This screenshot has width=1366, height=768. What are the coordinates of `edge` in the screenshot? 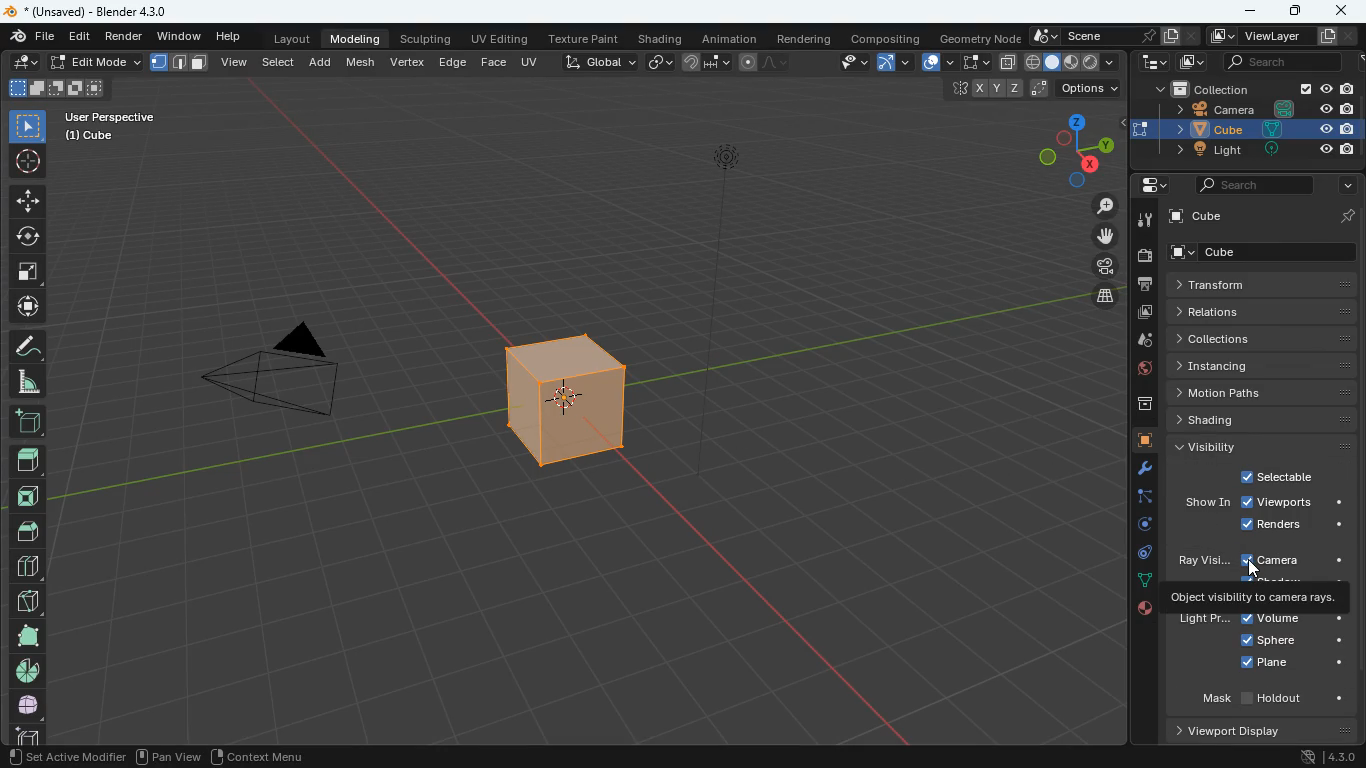 It's located at (452, 64).